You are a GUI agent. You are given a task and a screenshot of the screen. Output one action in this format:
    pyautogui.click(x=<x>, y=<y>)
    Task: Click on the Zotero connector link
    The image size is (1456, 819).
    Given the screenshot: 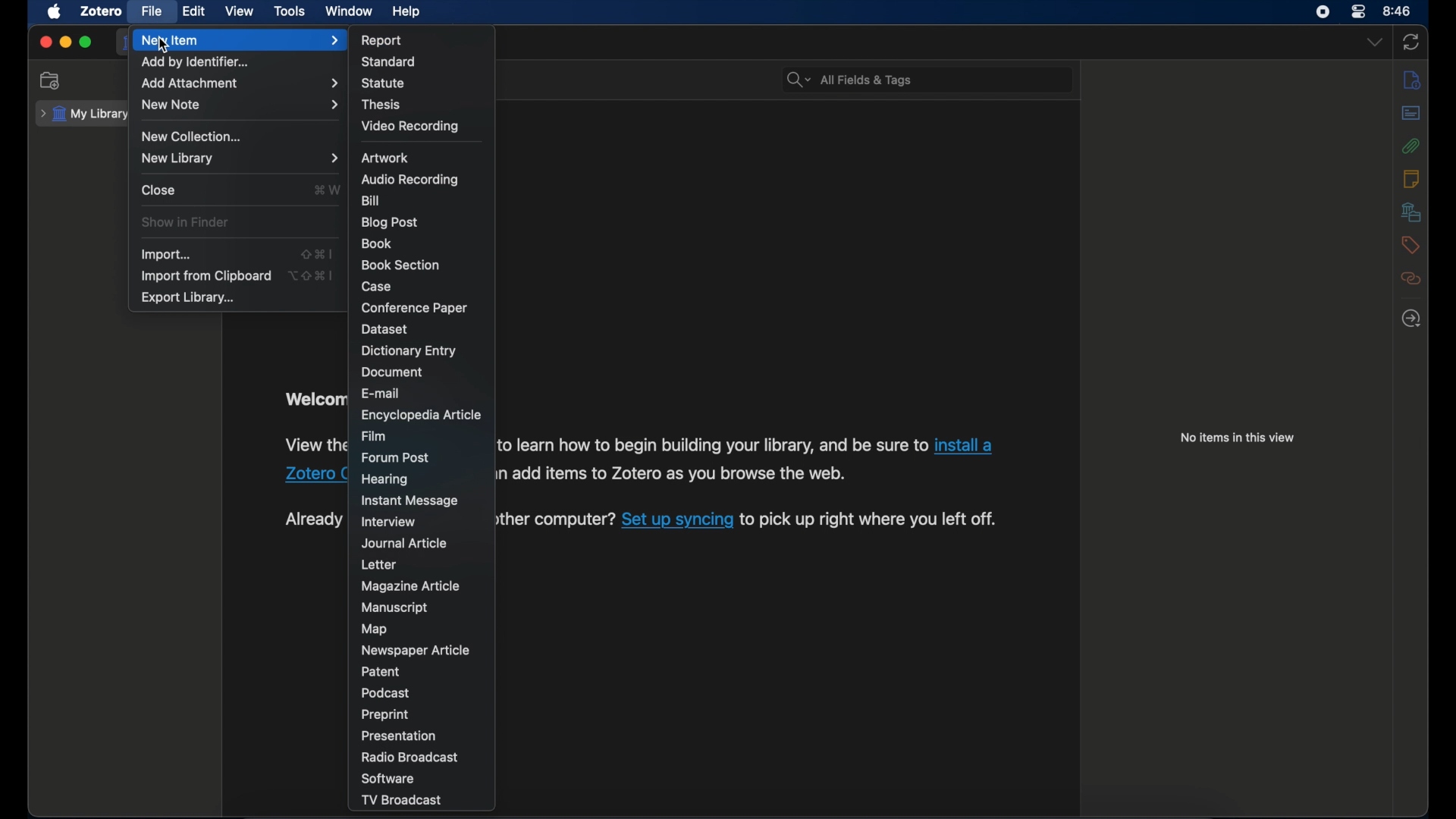 What is the action you would take?
    pyautogui.click(x=969, y=443)
    